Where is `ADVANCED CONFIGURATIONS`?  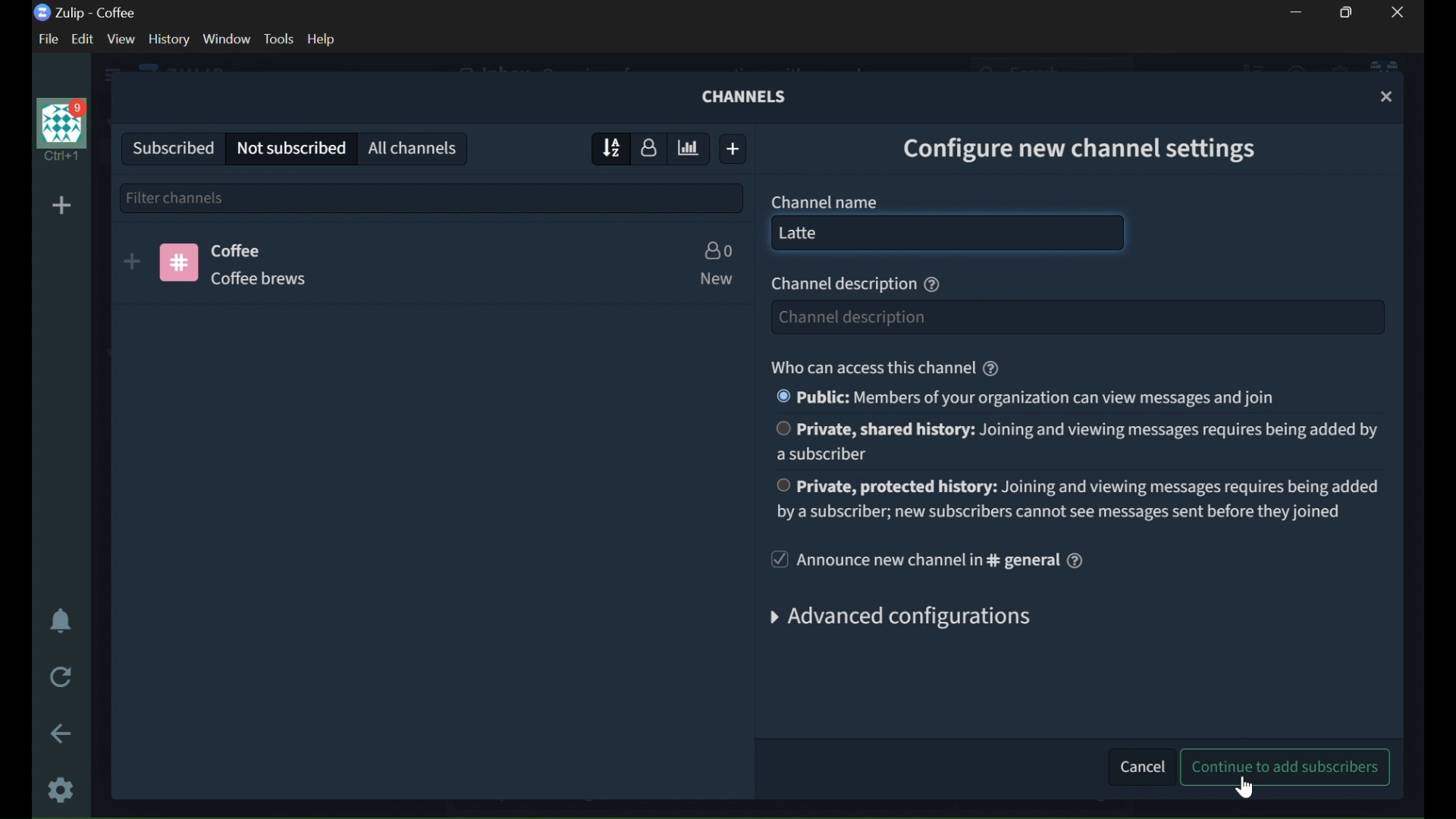
ADVANCED CONFIGURATIONS is located at coordinates (911, 620).